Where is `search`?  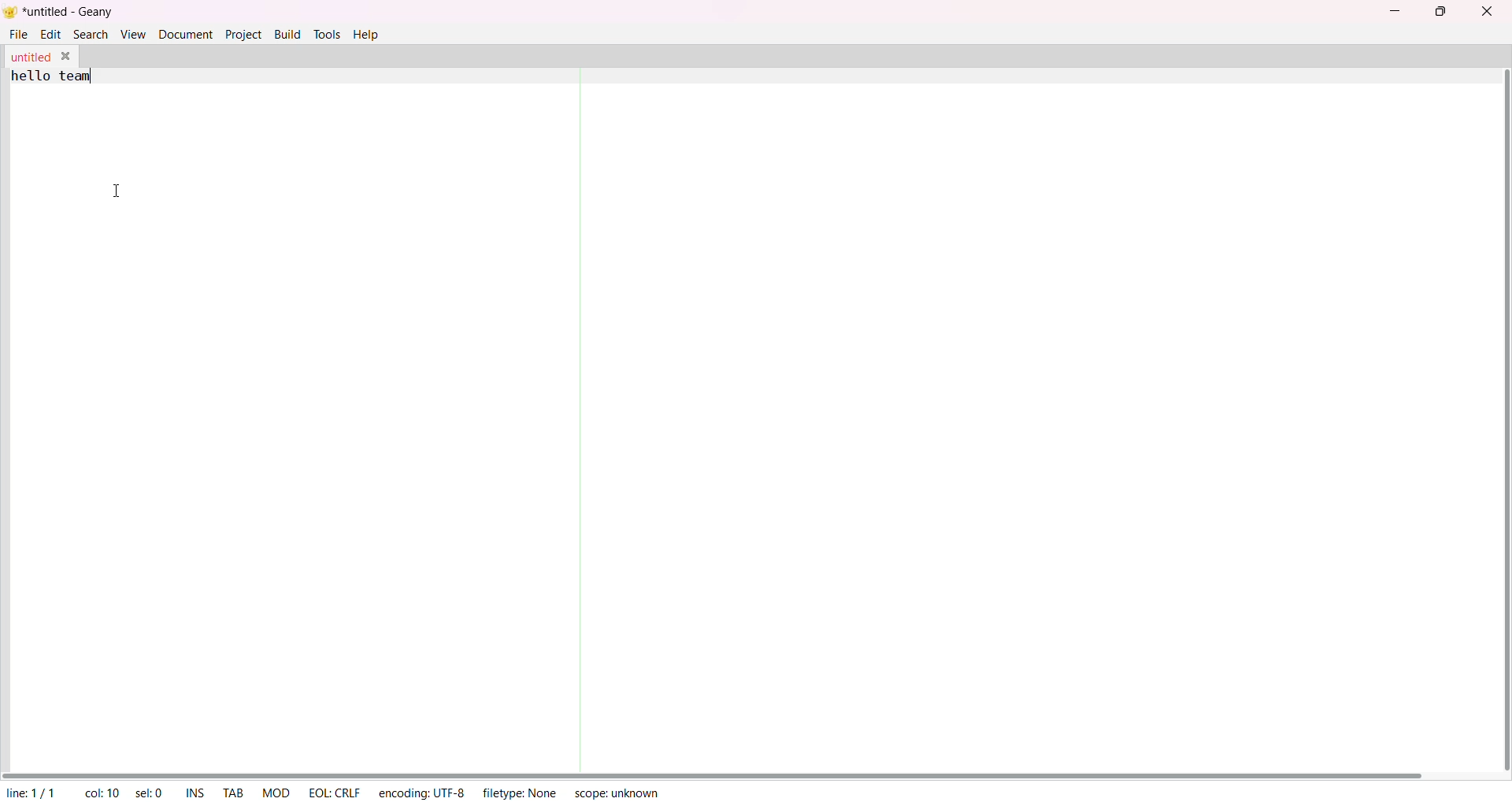
search is located at coordinates (93, 34).